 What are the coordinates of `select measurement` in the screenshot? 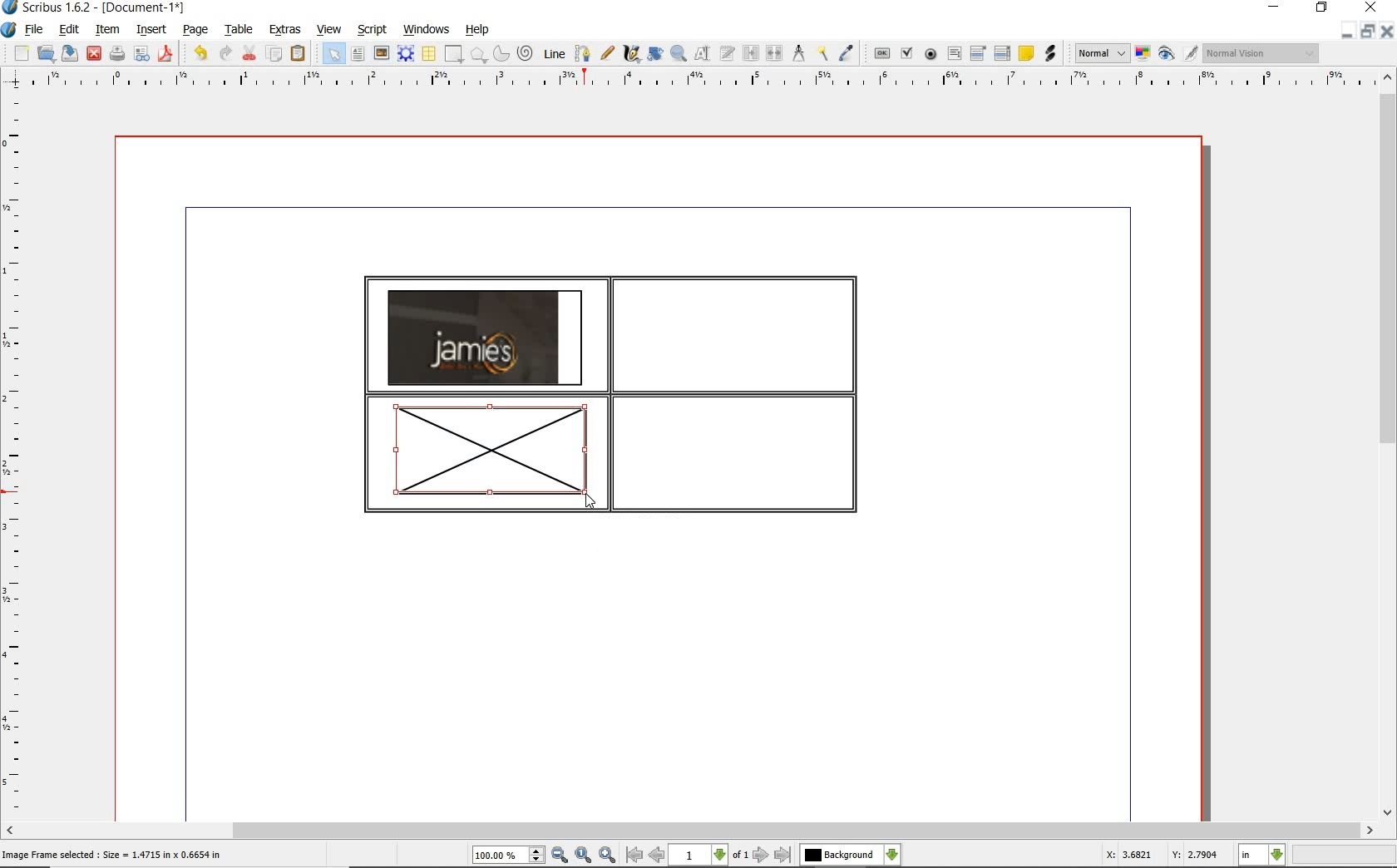 It's located at (1262, 855).